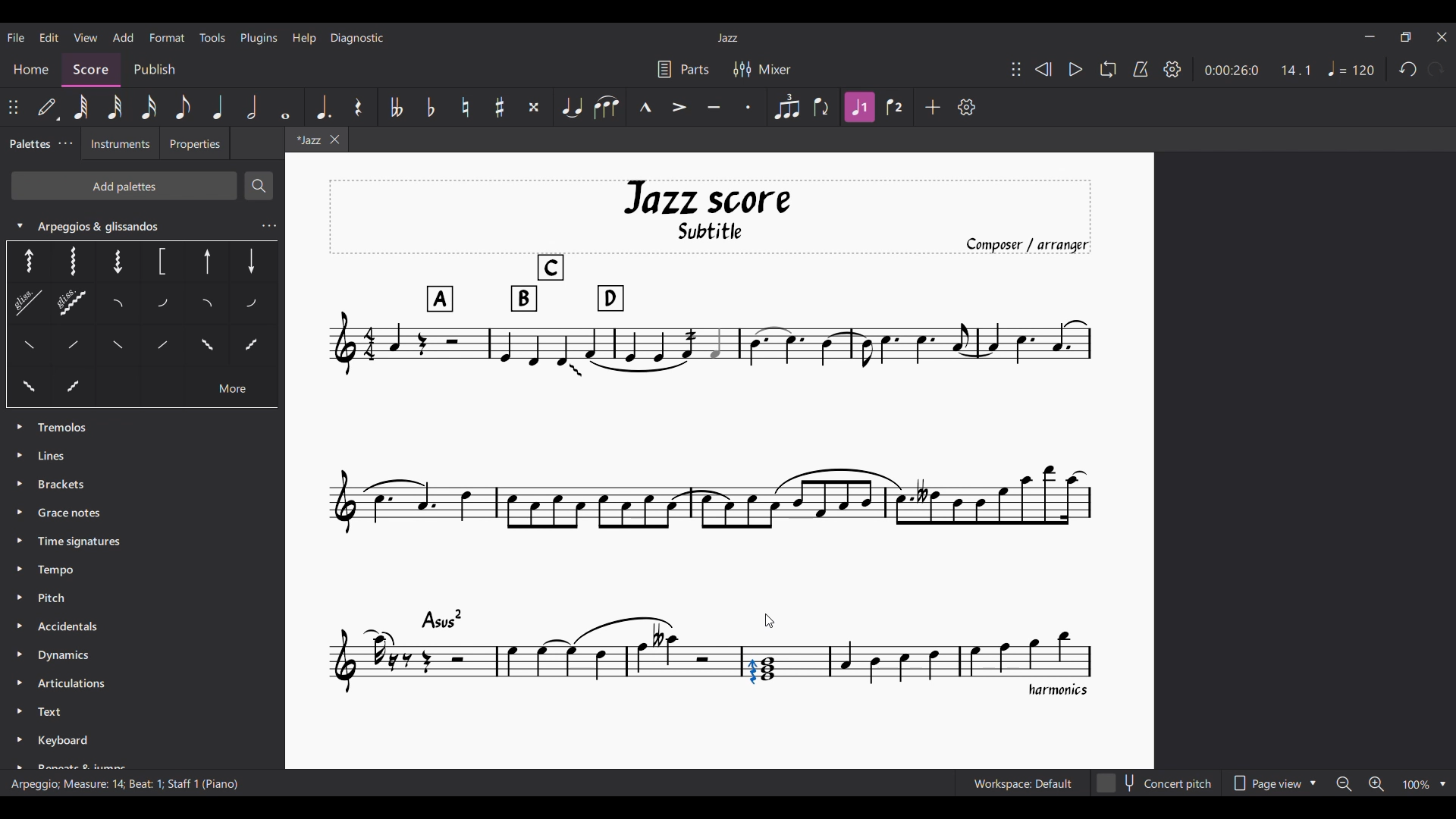  Describe the element at coordinates (1436, 69) in the screenshot. I see `Redo` at that location.